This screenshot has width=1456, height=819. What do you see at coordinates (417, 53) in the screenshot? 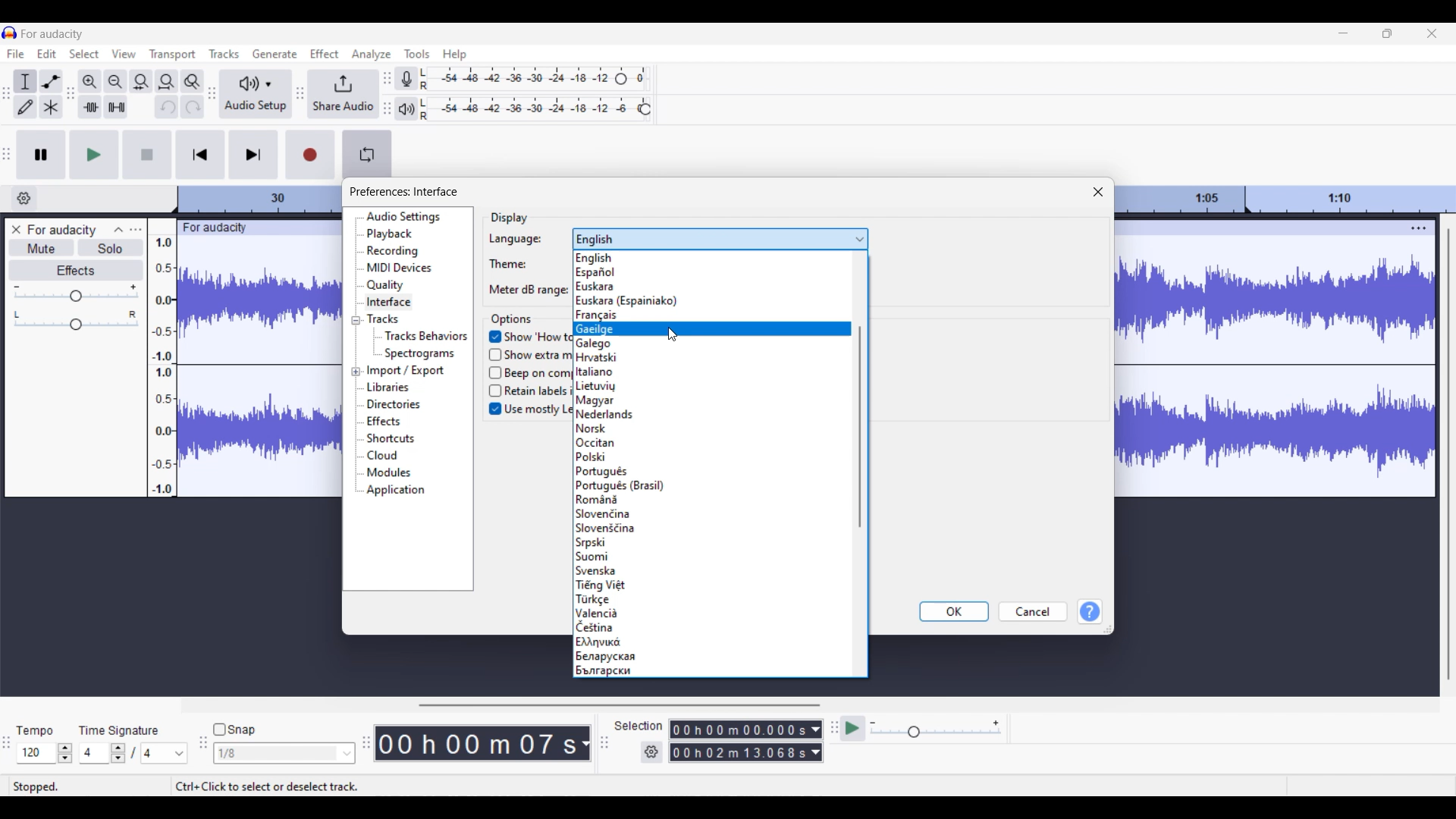
I see `Tools menu` at bounding box center [417, 53].